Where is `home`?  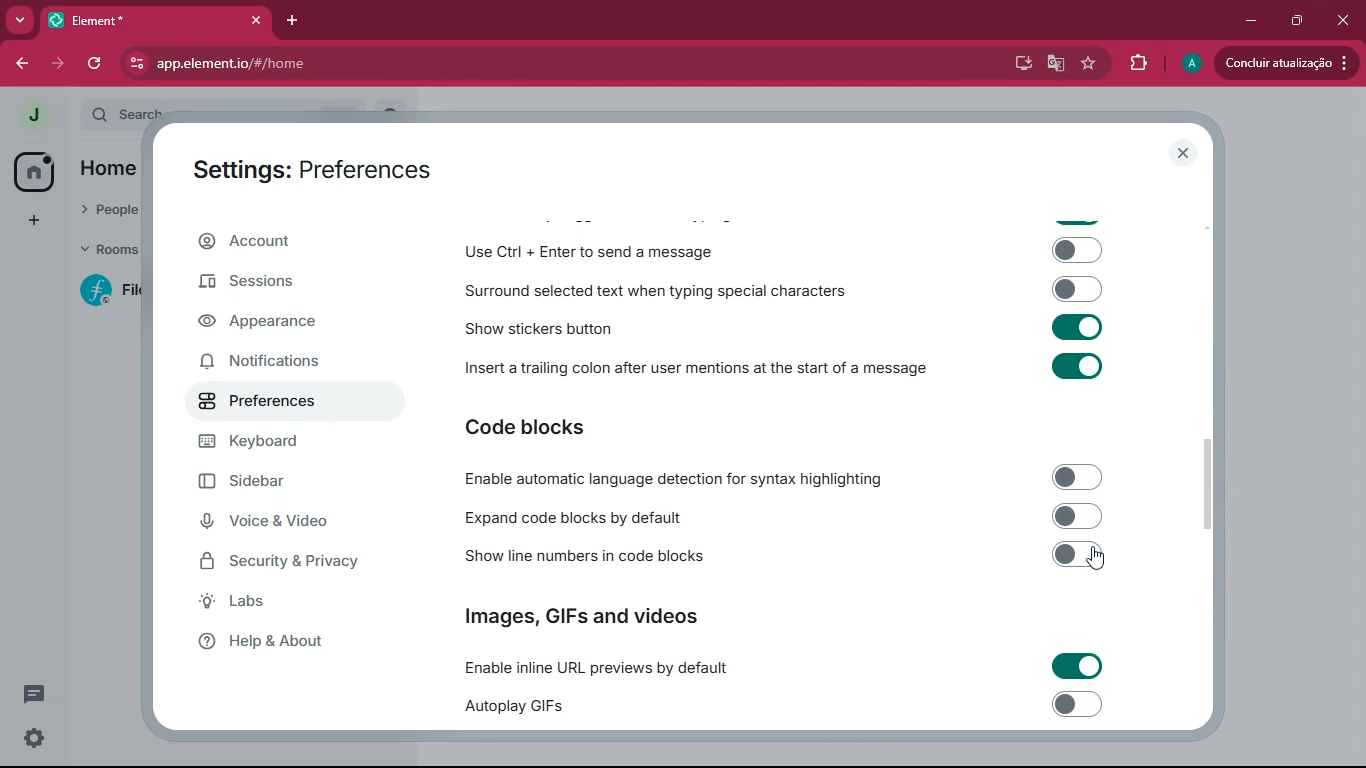 home is located at coordinates (32, 171).